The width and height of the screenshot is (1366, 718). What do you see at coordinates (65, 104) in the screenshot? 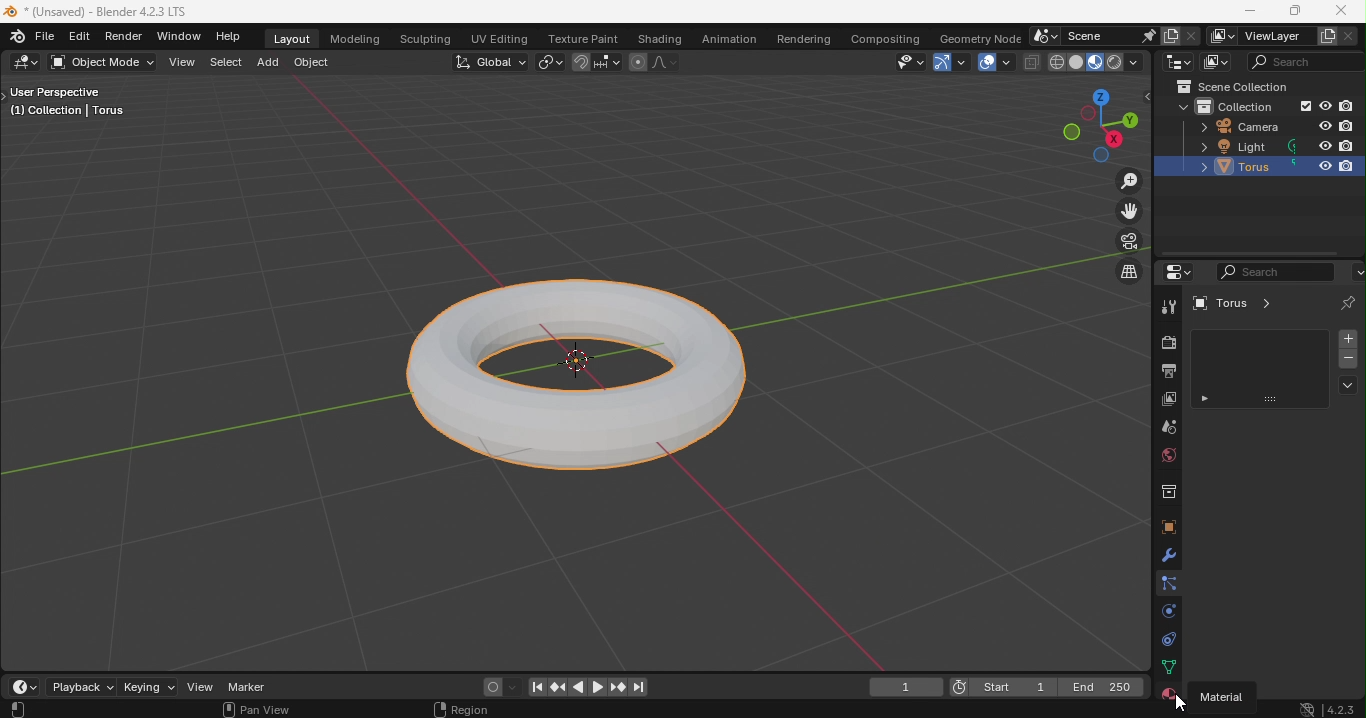
I see `User perspective` at bounding box center [65, 104].